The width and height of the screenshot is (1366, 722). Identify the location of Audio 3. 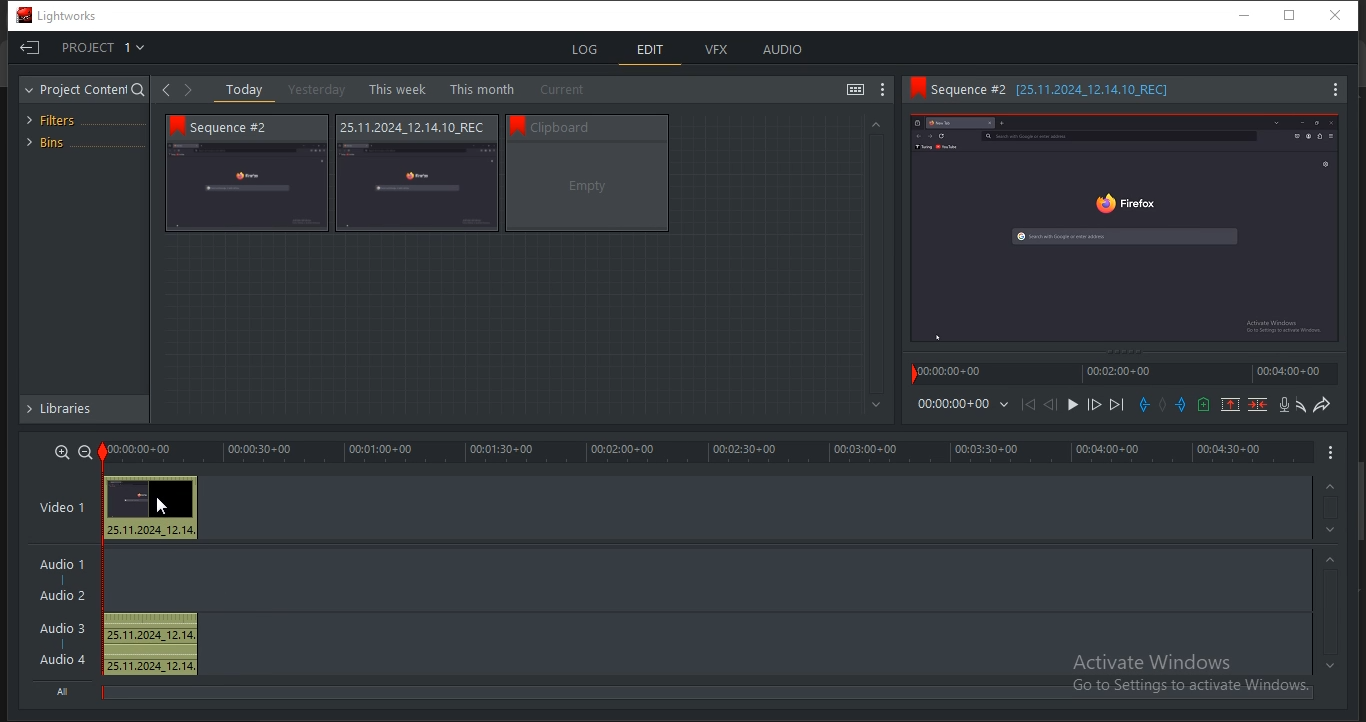
(61, 629).